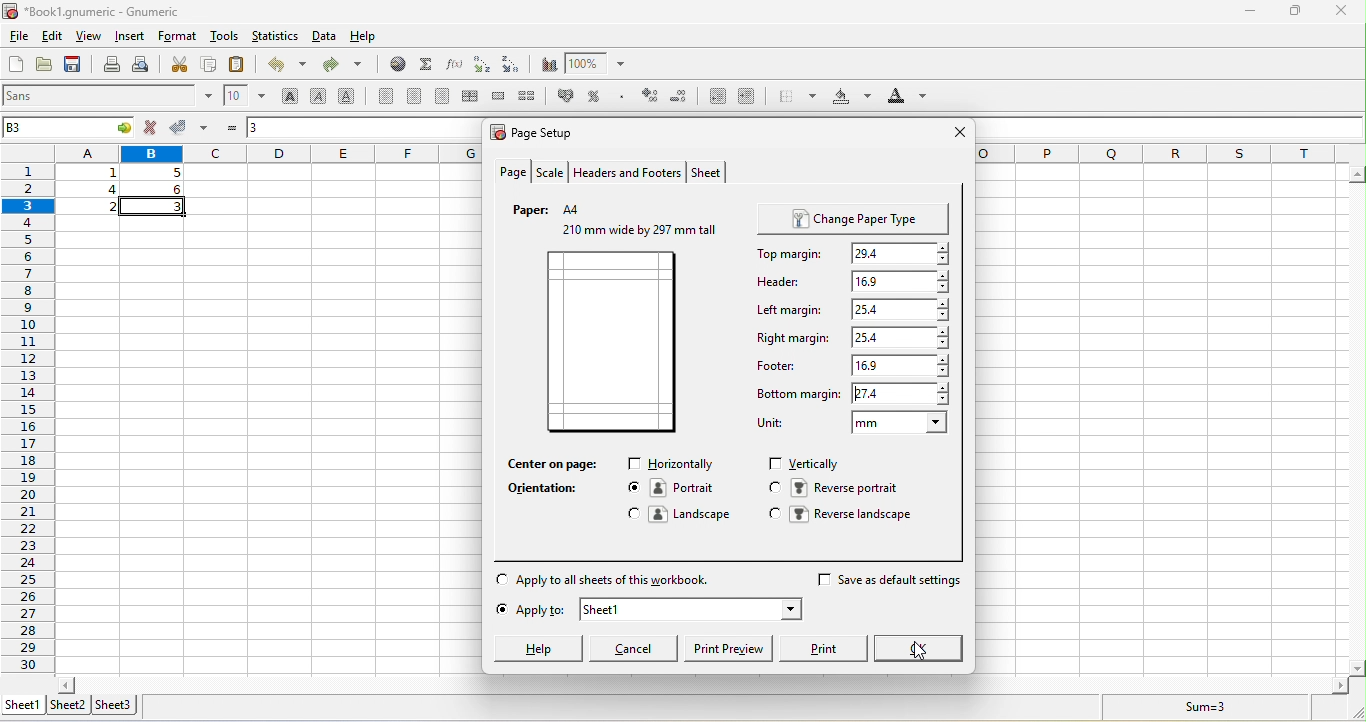 This screenshot has width=1366, height=722. What do you see at coordinates (552, 489) in the screenshot?
I see `orientation` at bounding box center [552, 489].